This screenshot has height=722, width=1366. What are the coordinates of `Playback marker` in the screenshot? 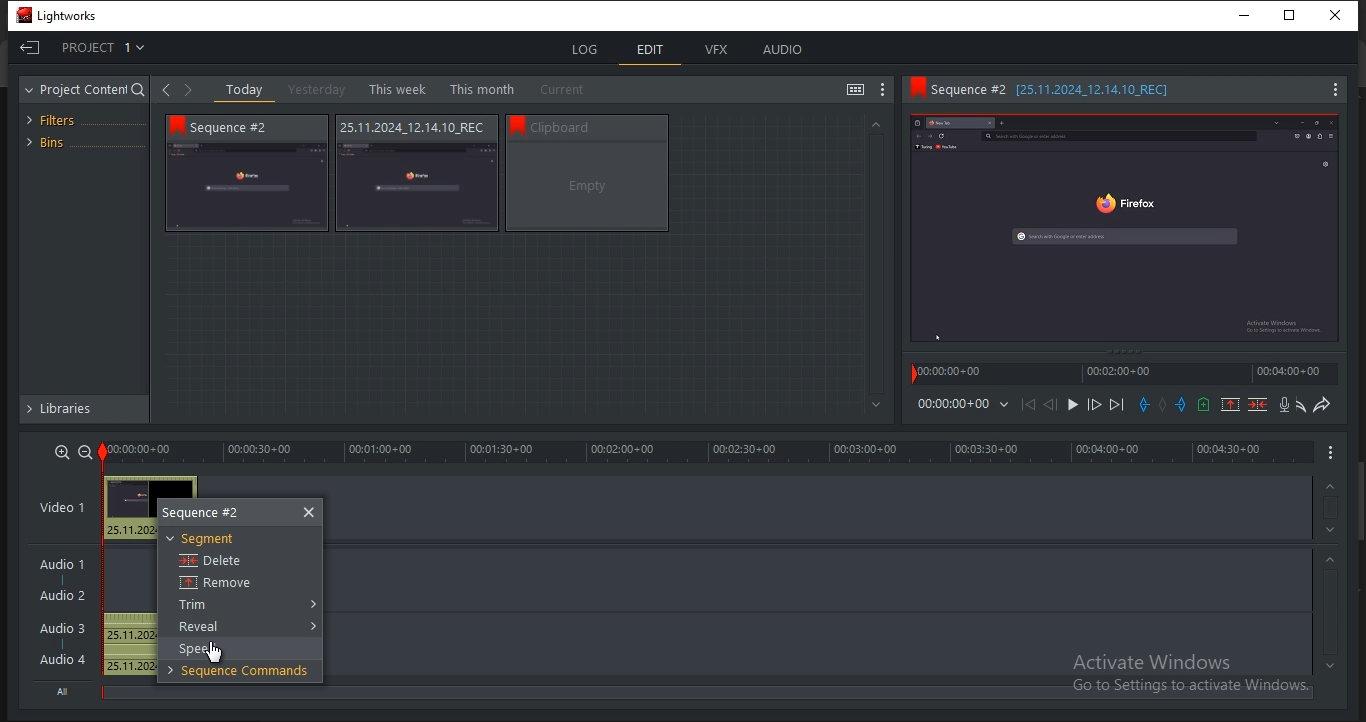 It's located at (907, 375).